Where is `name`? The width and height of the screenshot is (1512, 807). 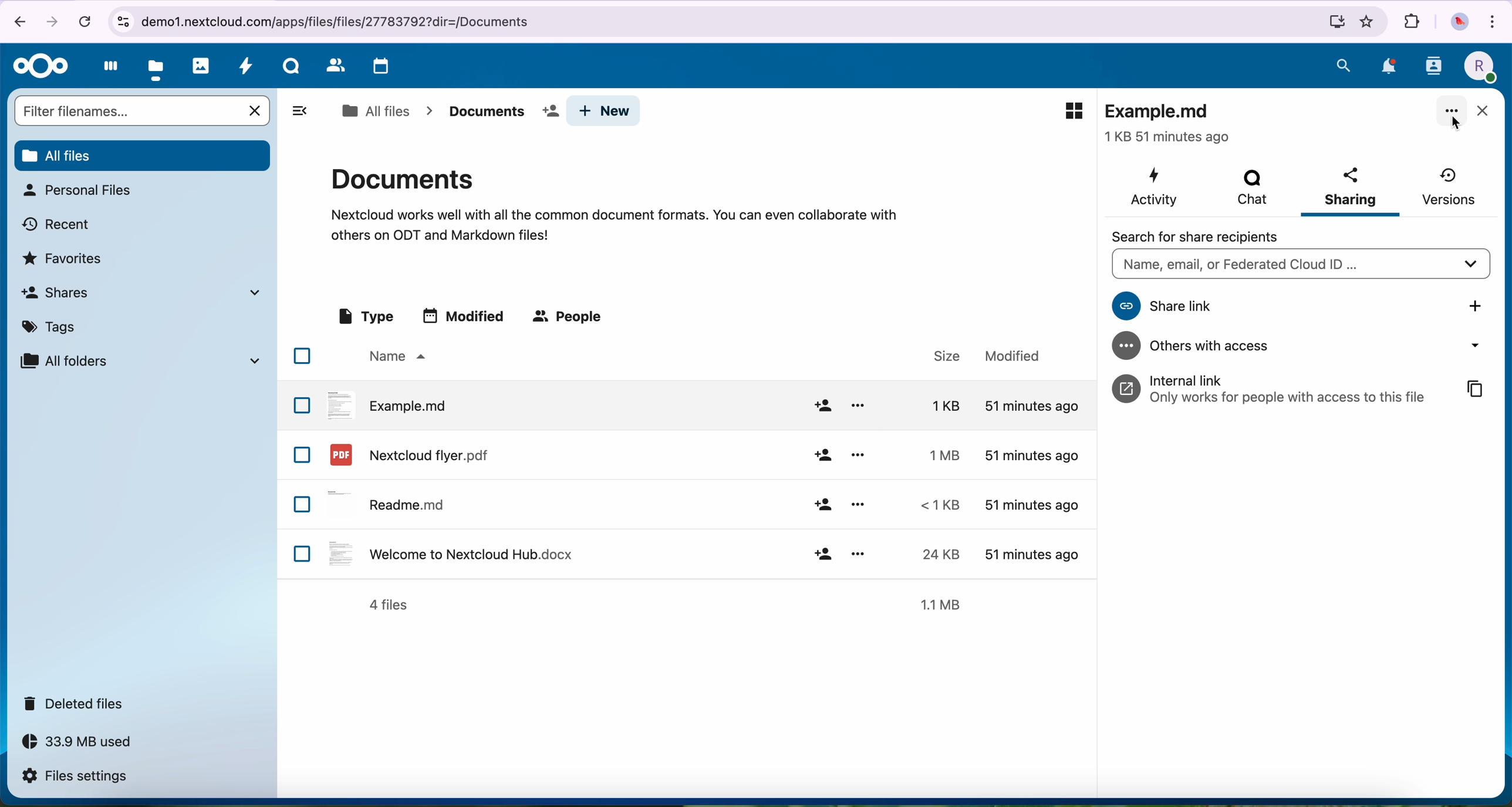 name is located at coordinates (395, 357).